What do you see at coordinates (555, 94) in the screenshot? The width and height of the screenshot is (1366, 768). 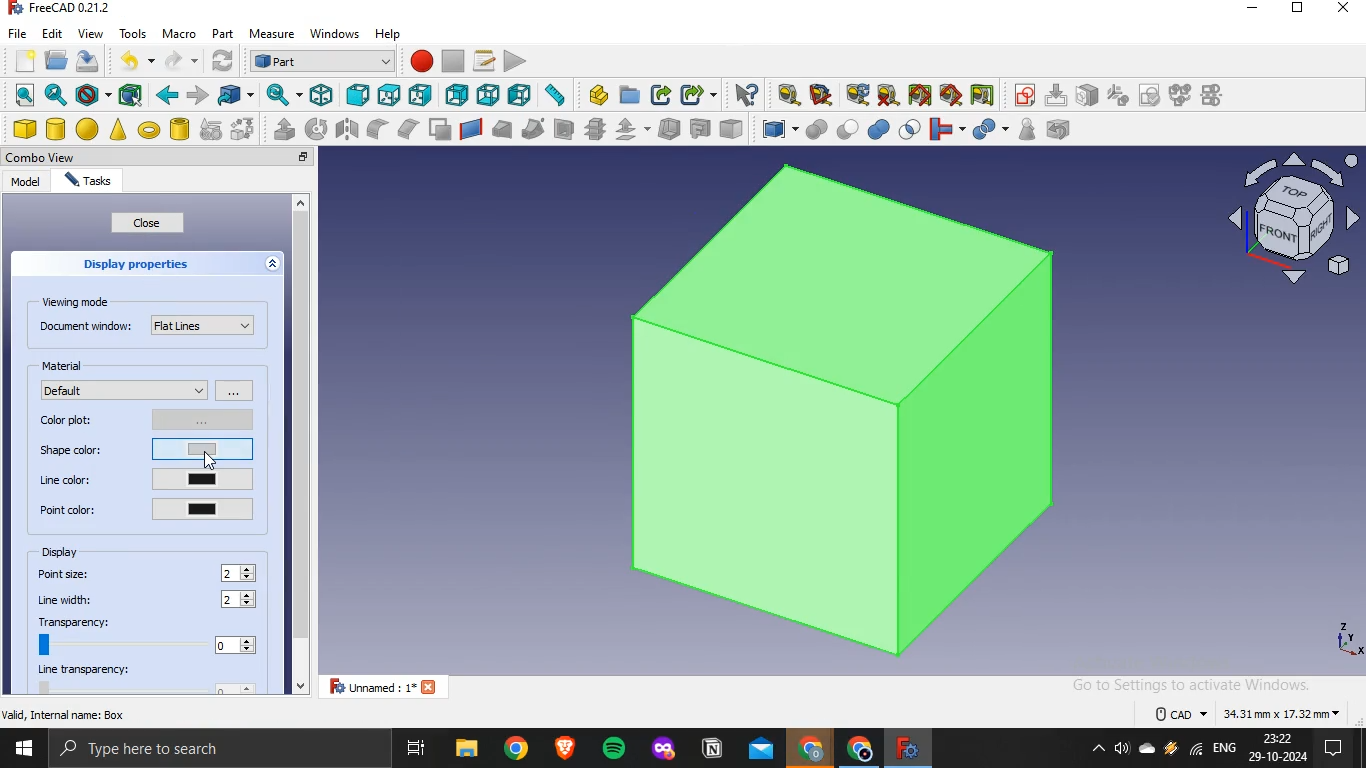 I see `measure distance` at bounding box center [555, 94].